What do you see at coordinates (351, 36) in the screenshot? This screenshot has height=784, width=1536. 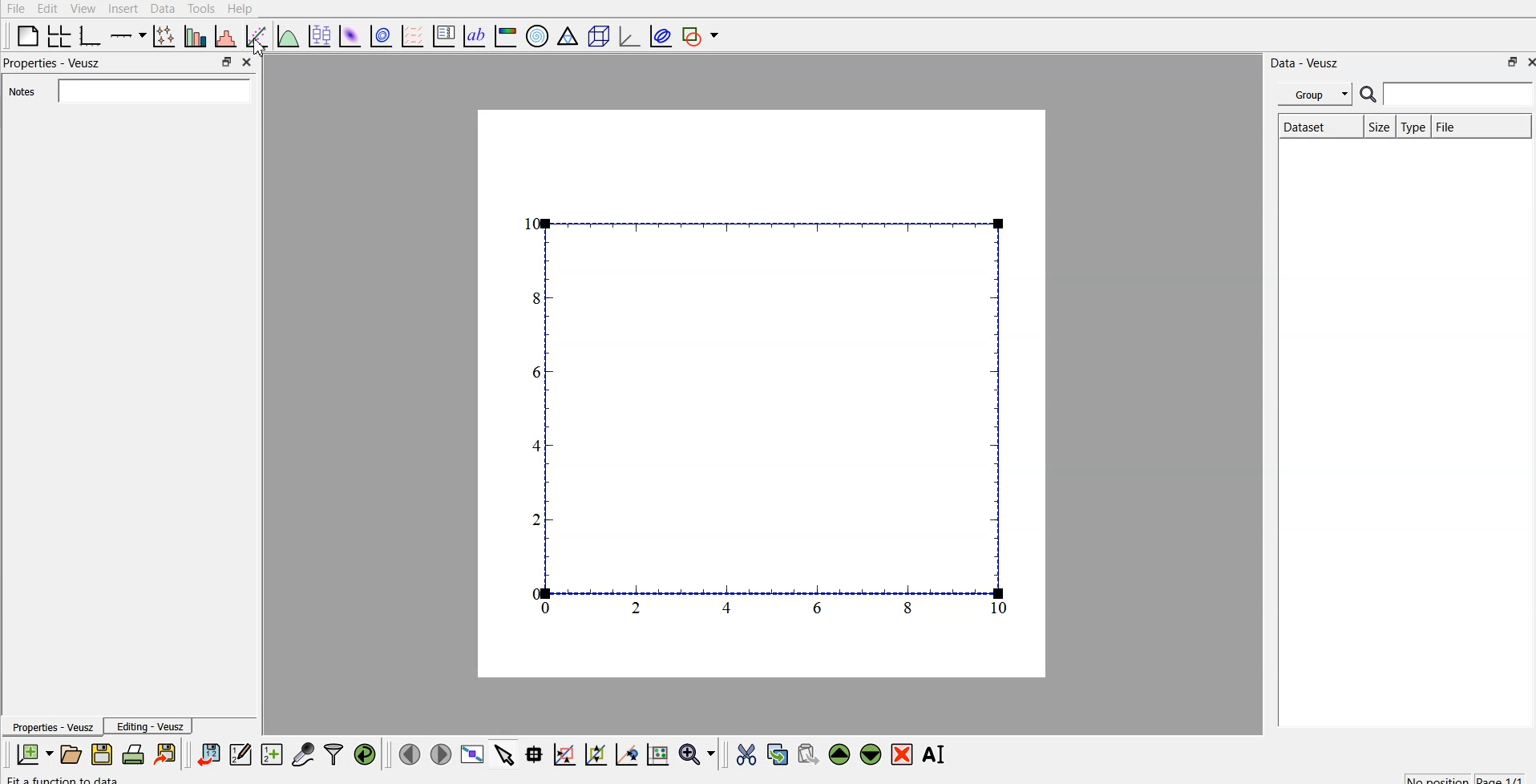 I see `plot 2d data set as an image` at bounding box center [351, 36].